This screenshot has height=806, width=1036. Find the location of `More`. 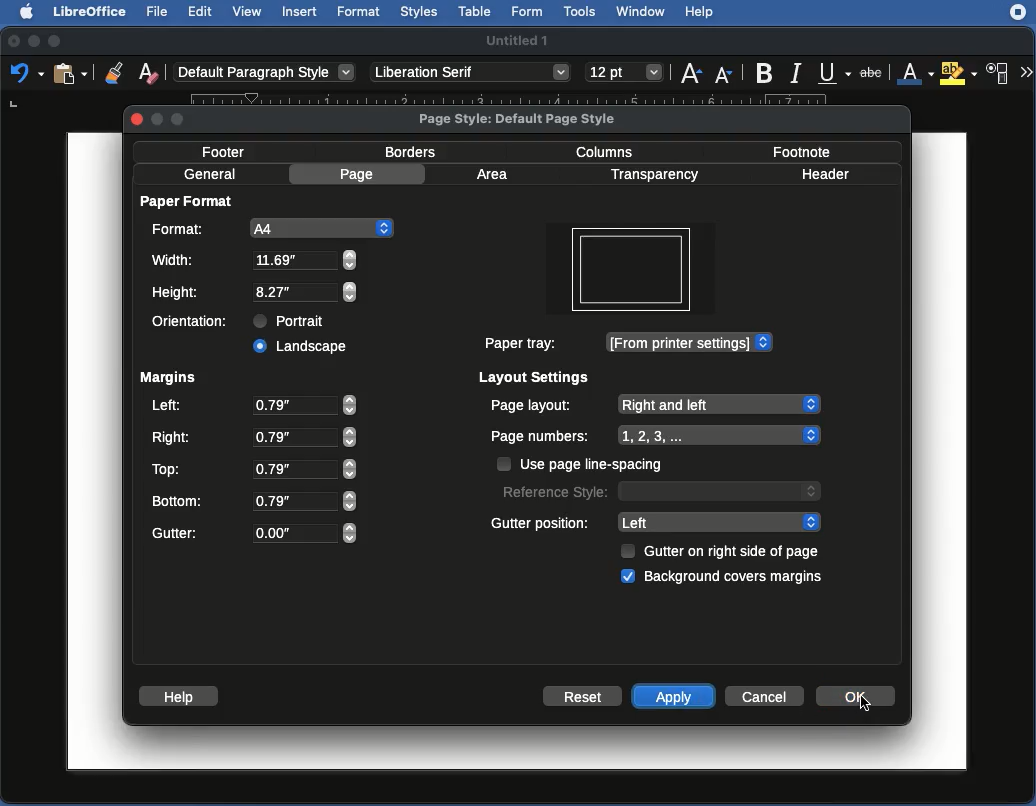

More is located at coordinates (1026, 70).